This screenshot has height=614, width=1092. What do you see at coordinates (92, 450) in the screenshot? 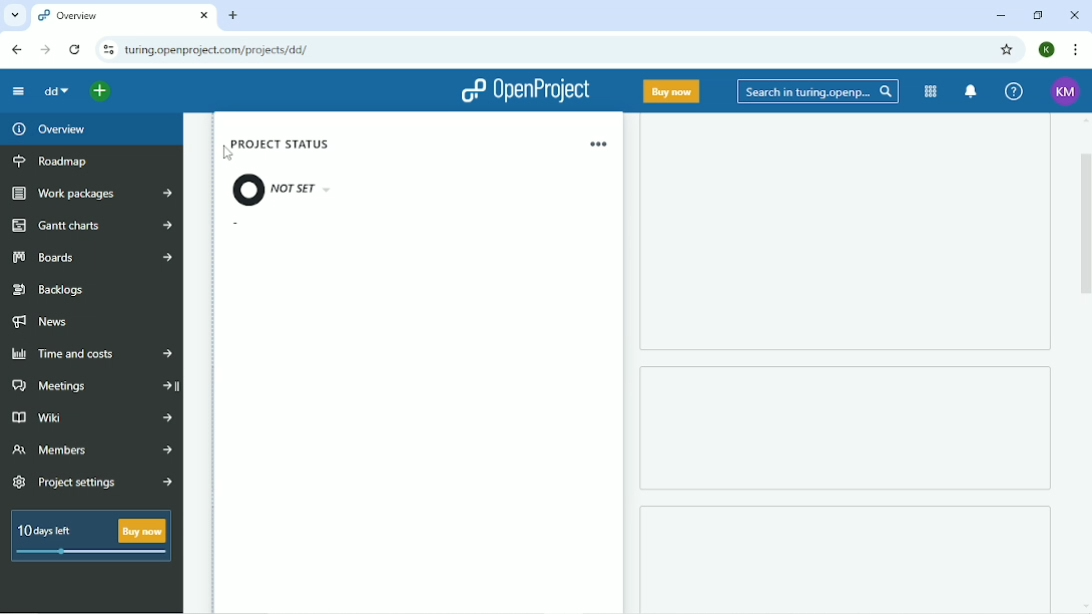
I see `Members` at bounding box center [92, 450].